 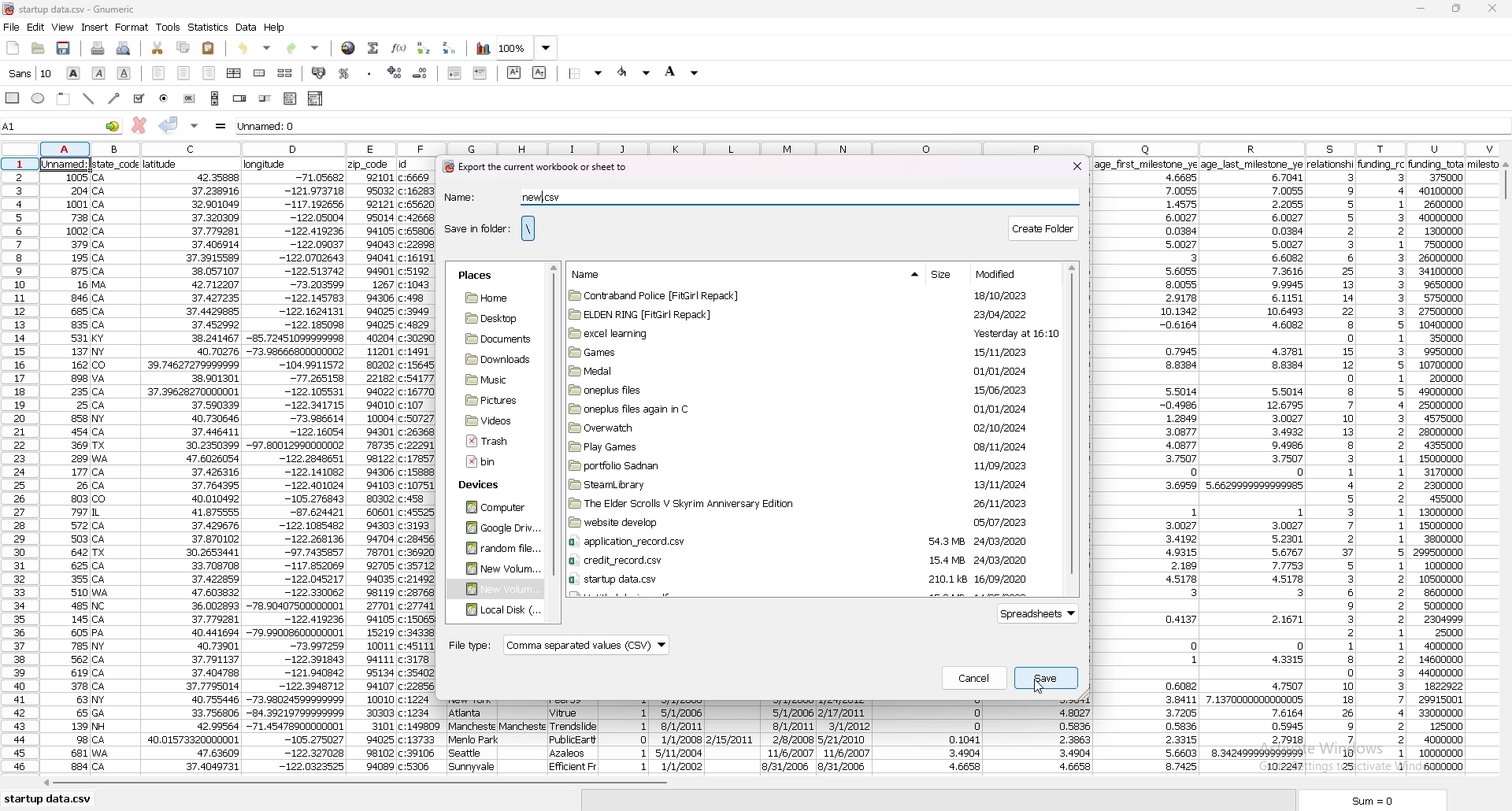 What do you see at coordinates (494, 590) in the screenshot?
I see `folder` at bounding box center [494, 590].